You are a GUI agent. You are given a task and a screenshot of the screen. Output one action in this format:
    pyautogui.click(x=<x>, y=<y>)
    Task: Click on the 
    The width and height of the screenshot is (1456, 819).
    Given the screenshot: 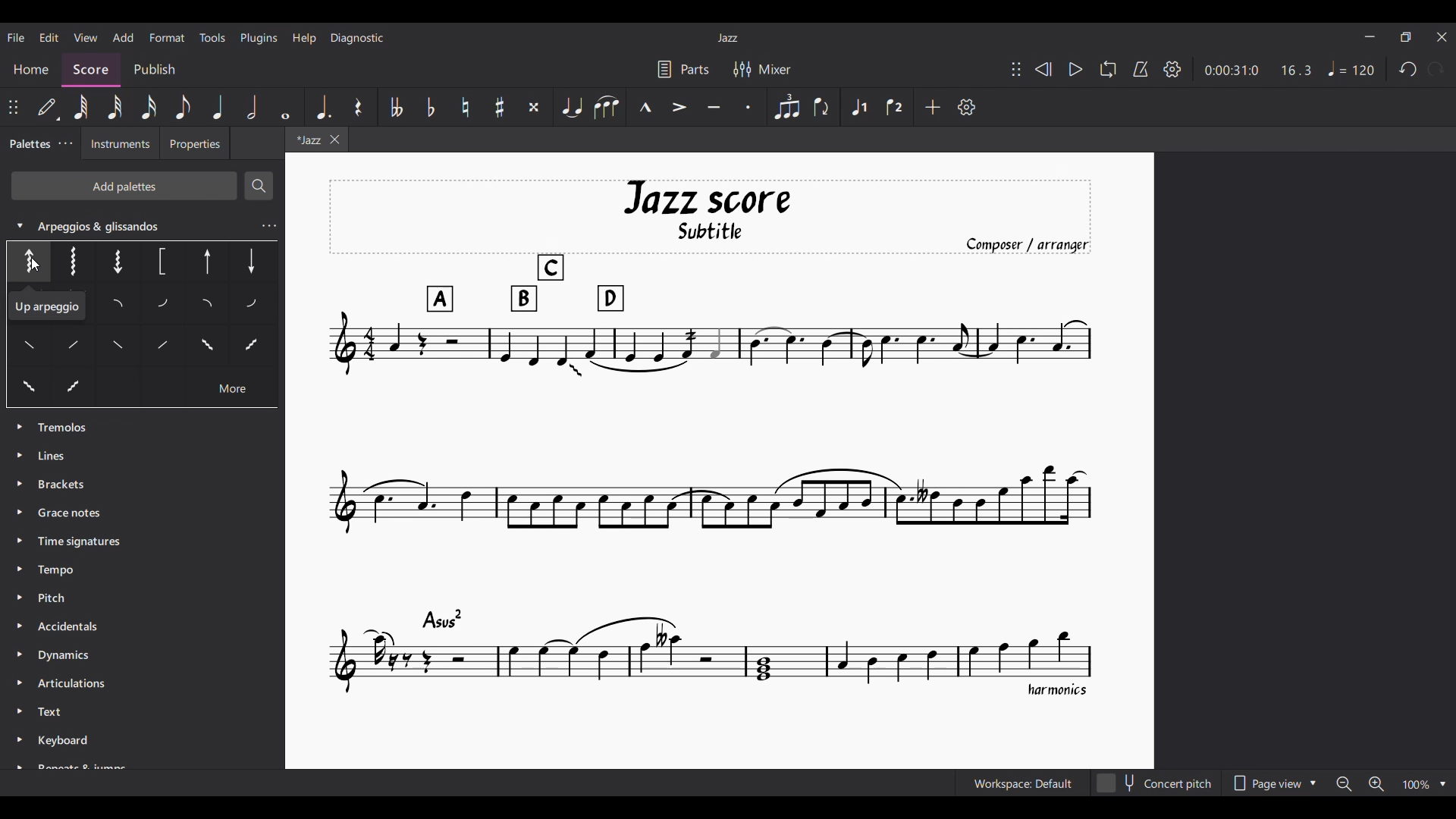 What is the action you would take?
    pyautogui.click(x=74, y=347)
    